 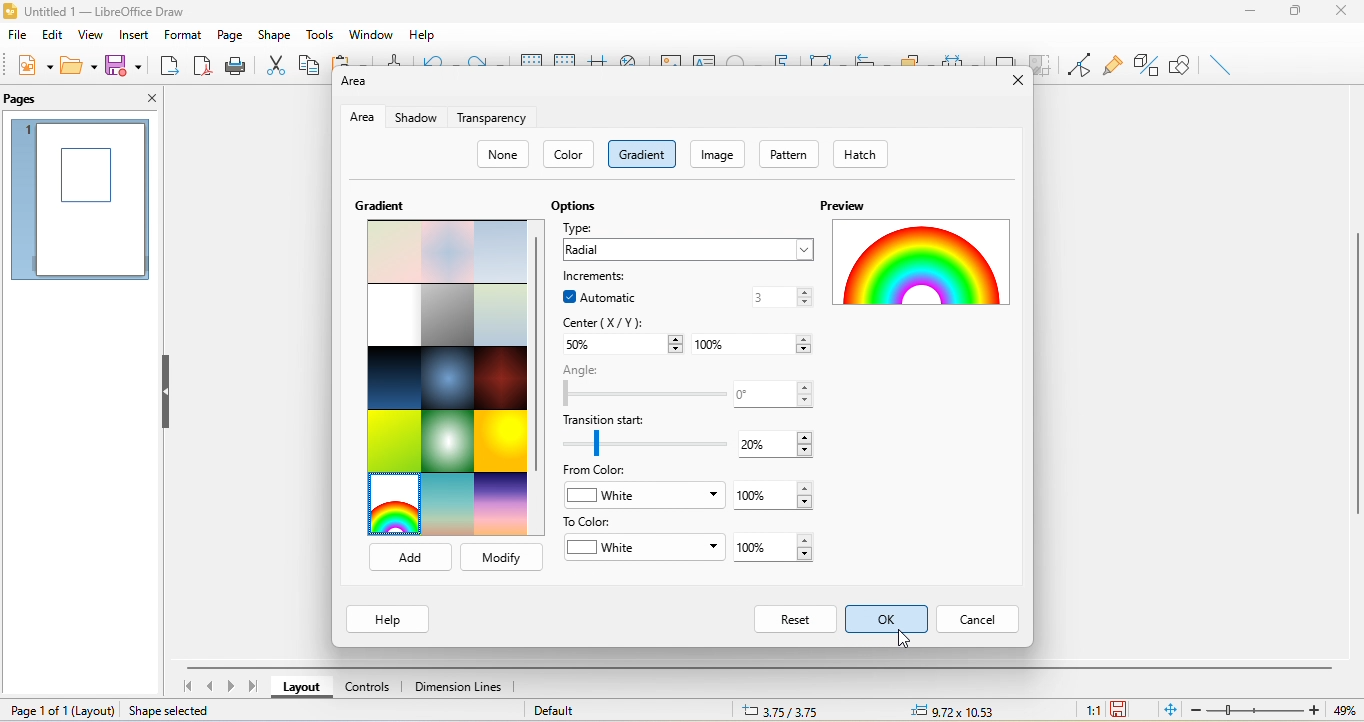 I want to click on blank with grey, so click(x=393, y=316).